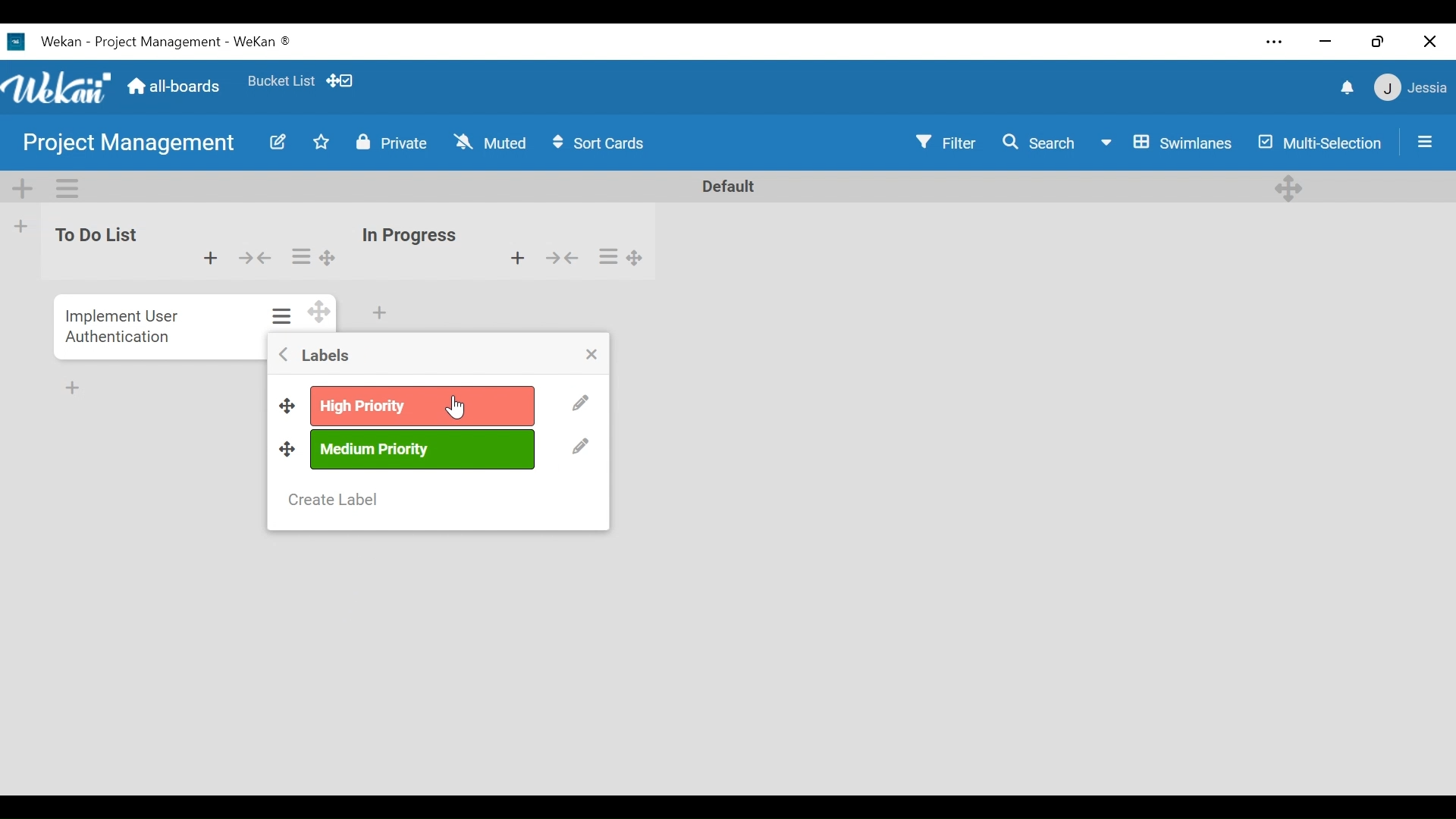  What do you see at coordinates (24, 190) in the screenshot?
I see `add swimlane` at bounding box center [24, 190].